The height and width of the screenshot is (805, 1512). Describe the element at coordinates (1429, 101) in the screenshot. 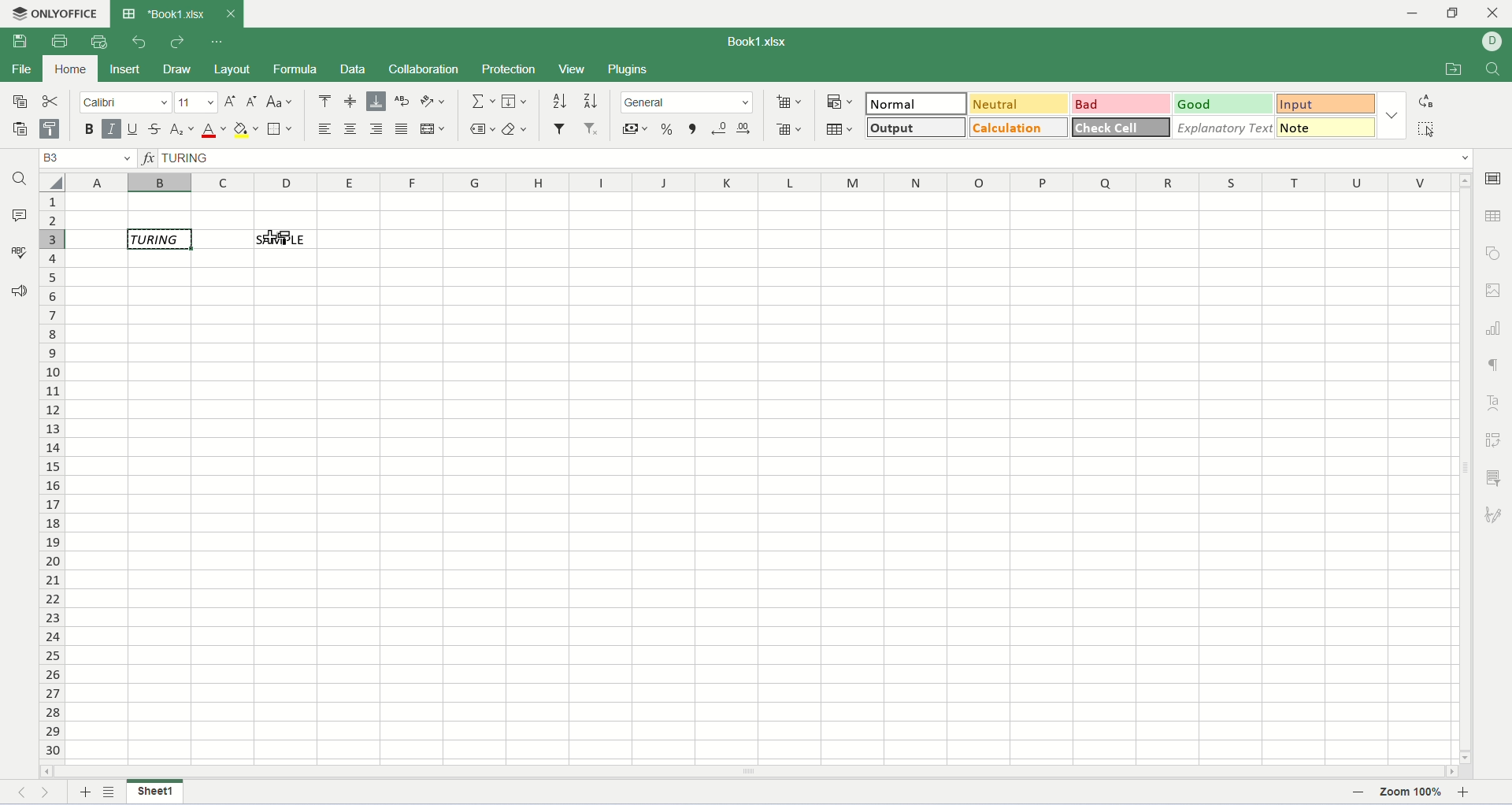

I see `replace` at that location.